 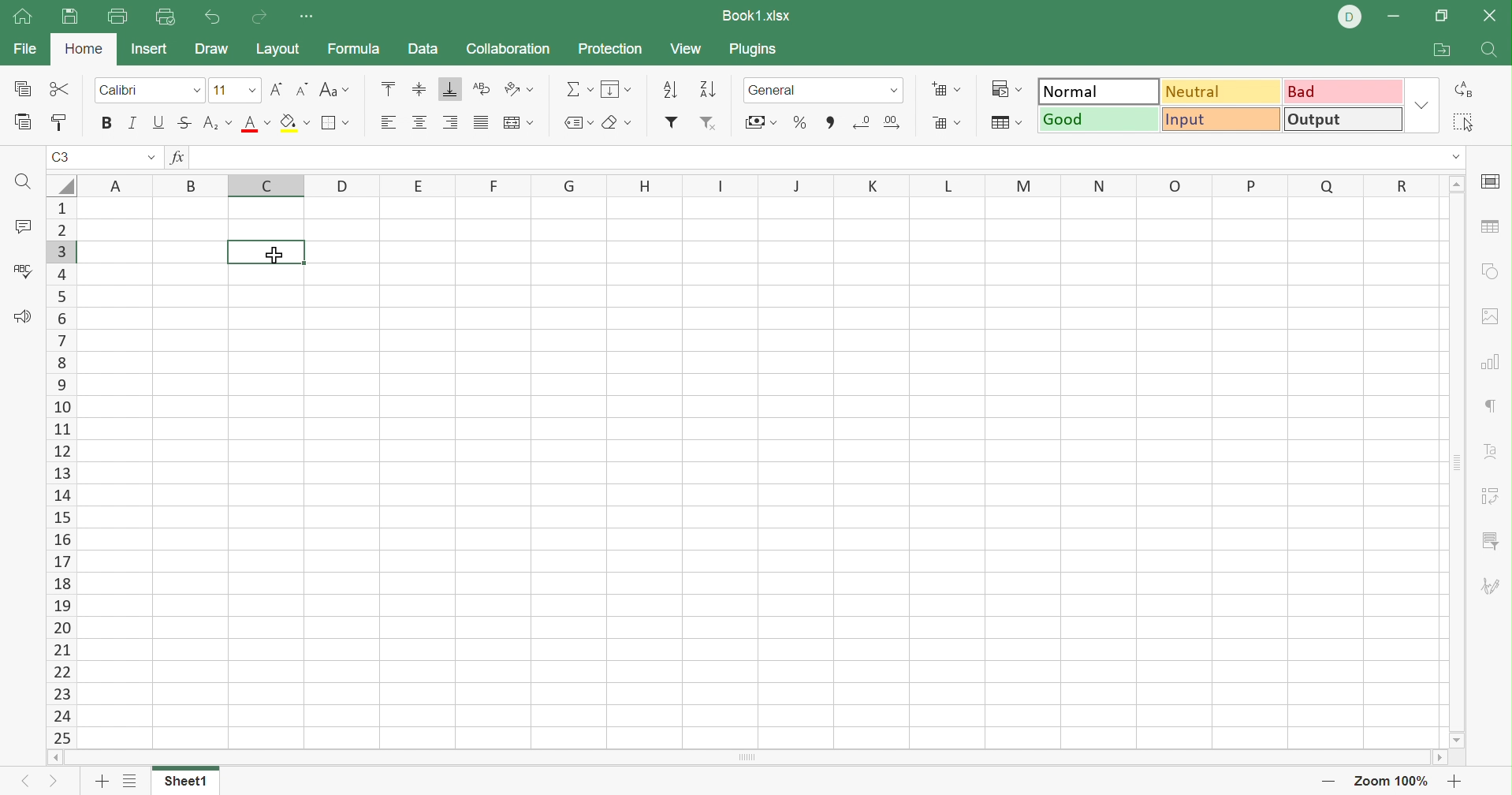 I want to click on Underline, so click(x=160, y=121).